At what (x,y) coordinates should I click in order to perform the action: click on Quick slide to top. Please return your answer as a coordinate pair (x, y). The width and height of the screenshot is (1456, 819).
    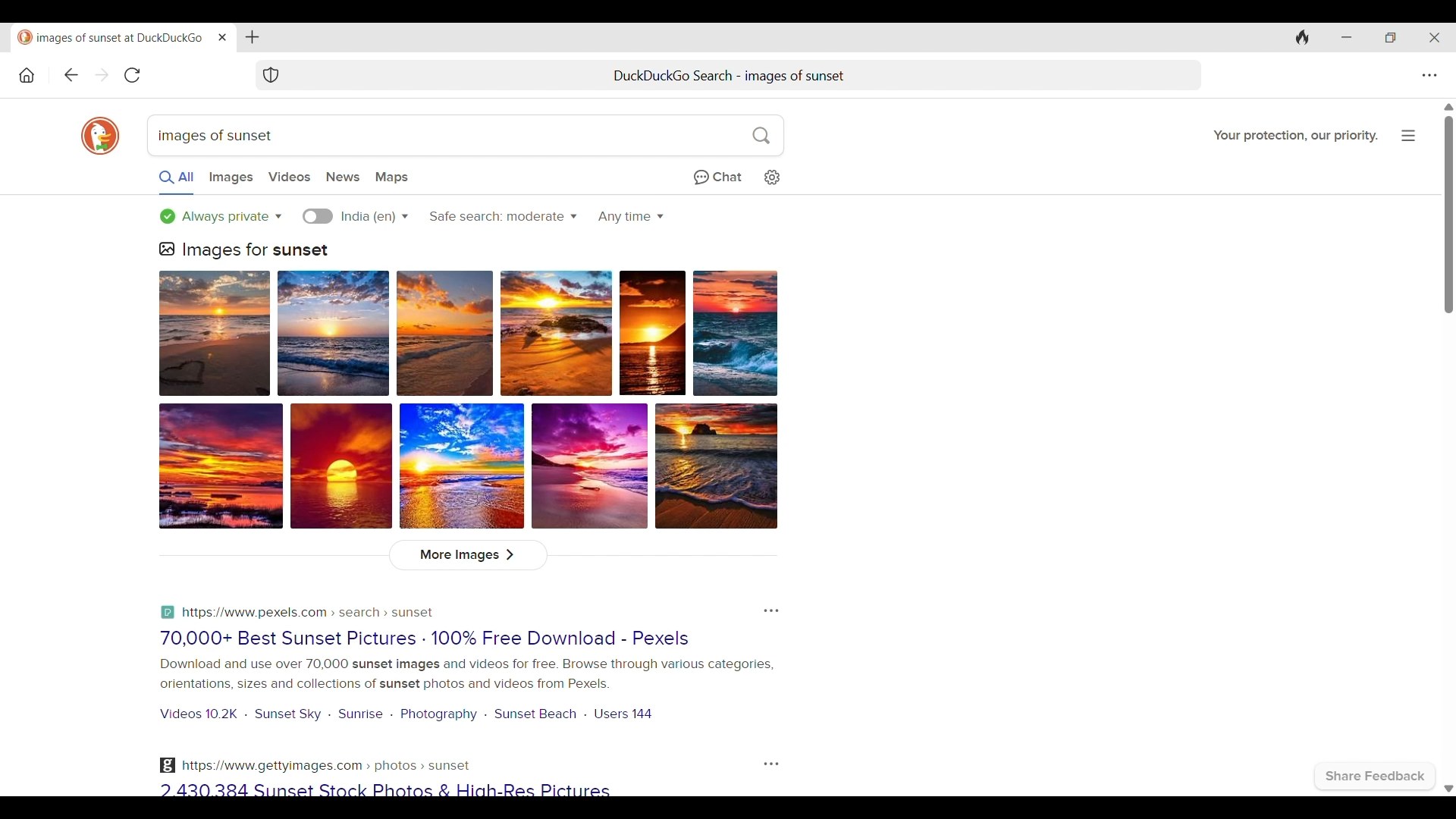
    Looking at the image, I should click on (1448, 107).